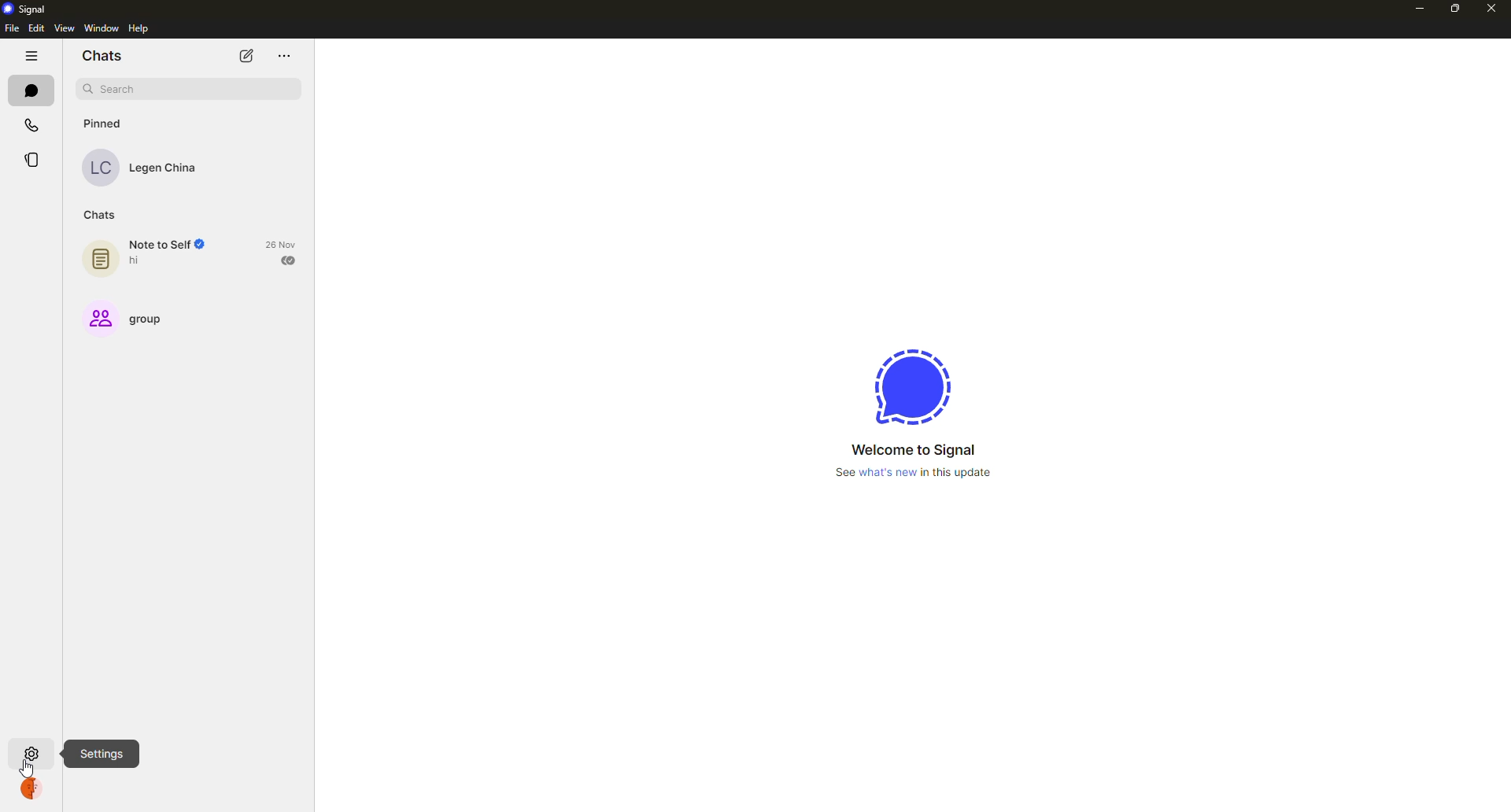 The width and height of the screenshot is (1511, 812). What do you see at coordinates (101, 752) in the screenshot?
I see `settings` at bounding box center [101, 752].